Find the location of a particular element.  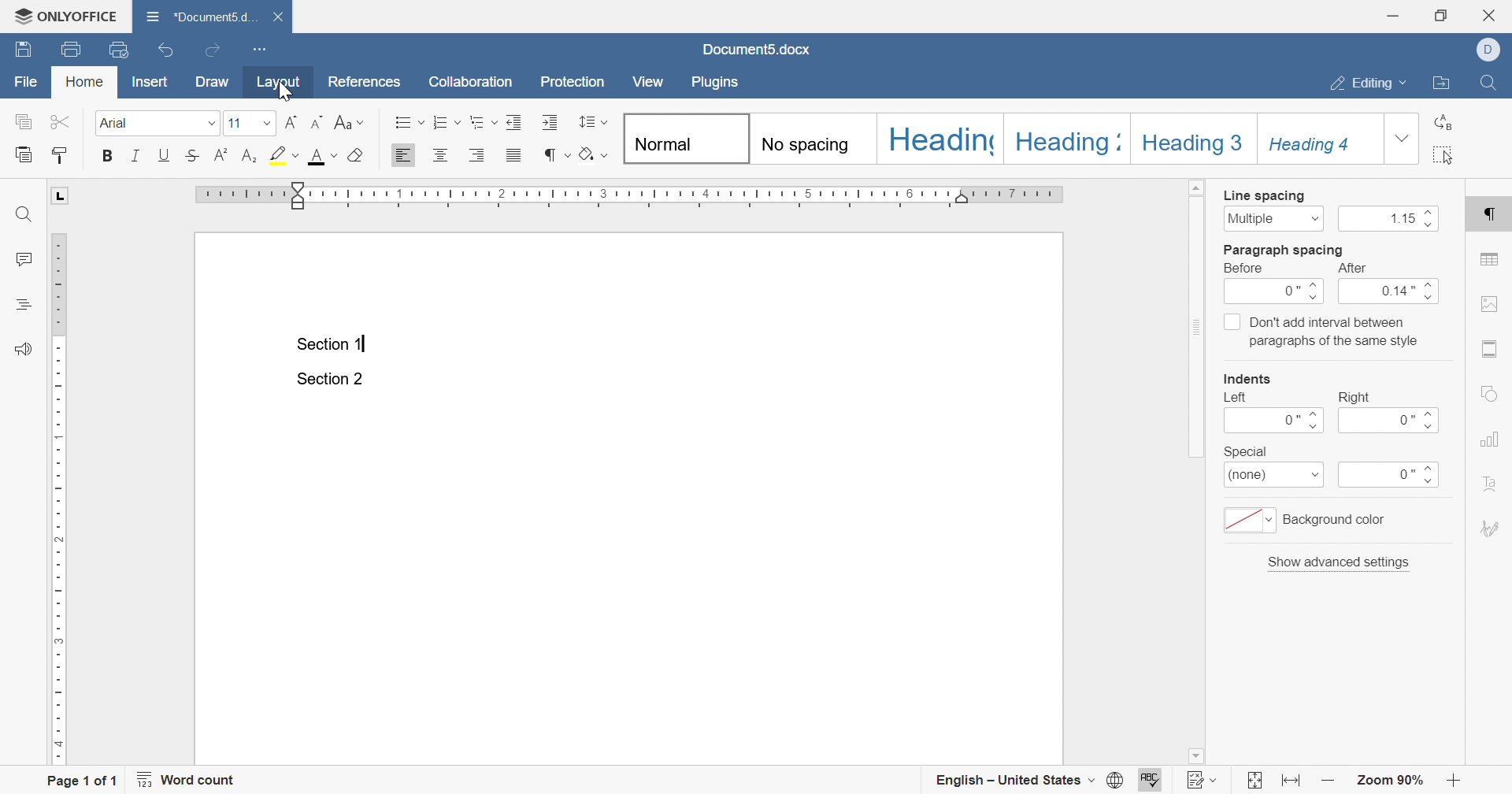

1.15 is located at coordinates (1392, 220).